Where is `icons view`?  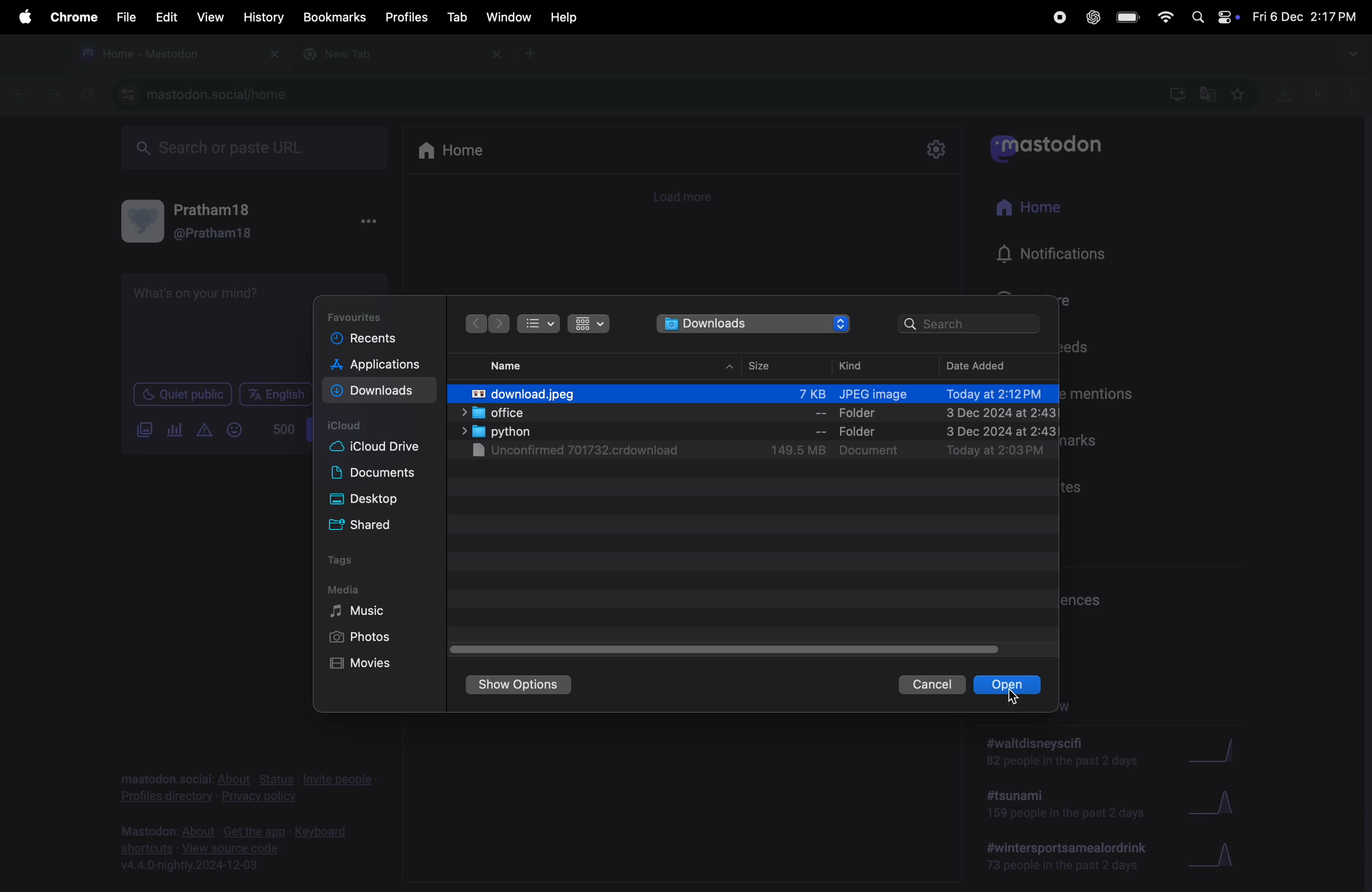
icons view is located at coordinates (589, 324).